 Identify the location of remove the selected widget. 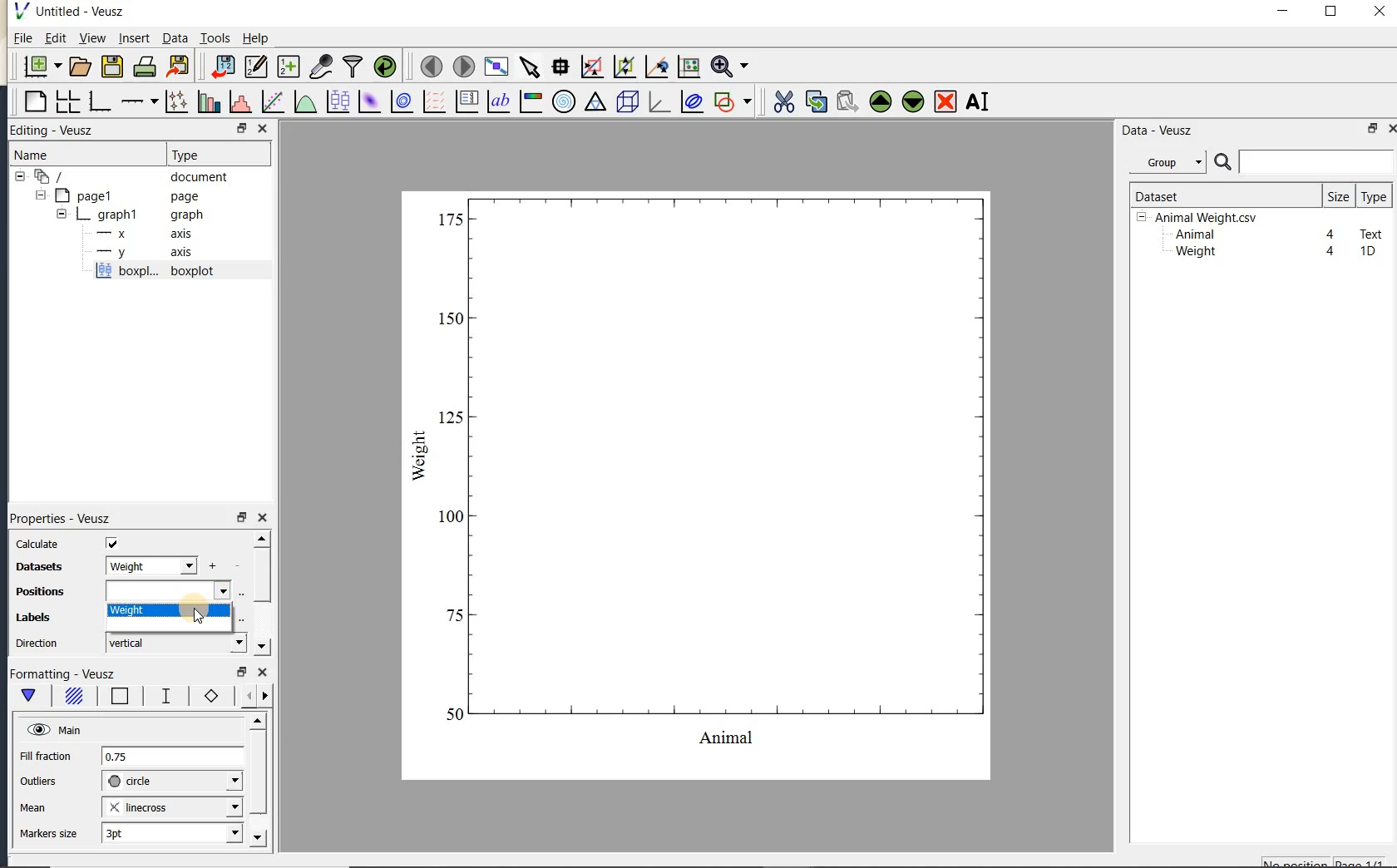
(944, 103).